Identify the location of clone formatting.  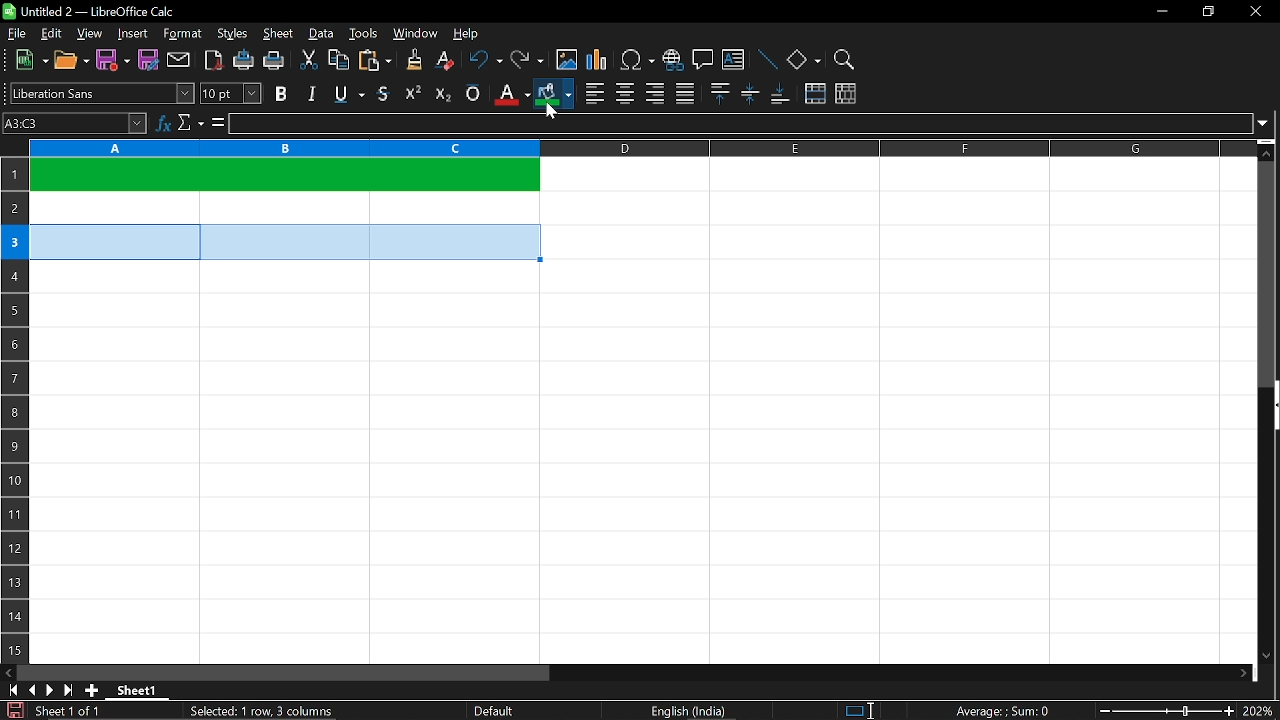
(409, 60).